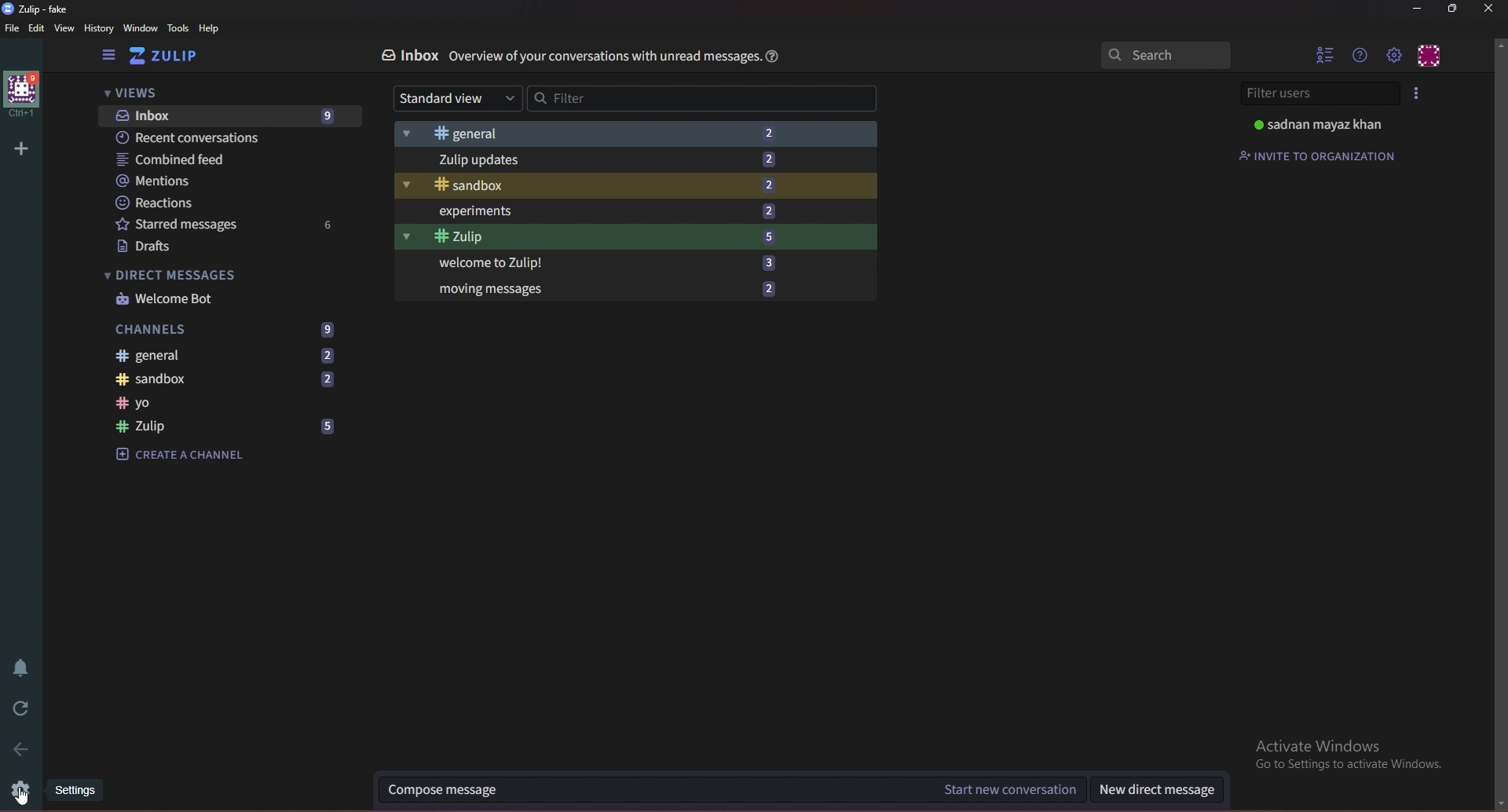  Describe the element at coordinates (207, 203) in the screenshot. I see `reactions` at that location.